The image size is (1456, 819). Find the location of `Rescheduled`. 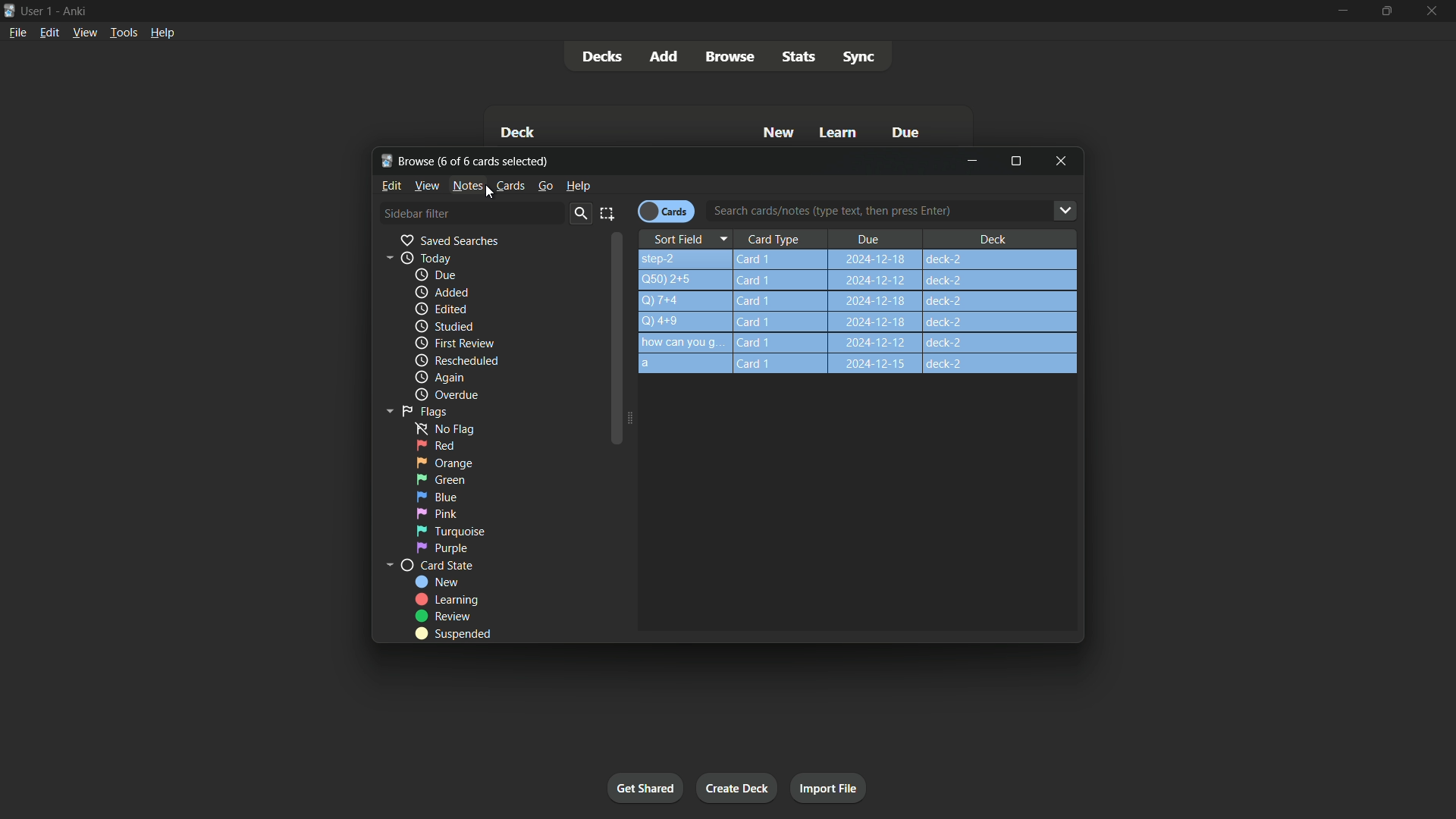

Rescheduled is located at coordinates (456, 361).